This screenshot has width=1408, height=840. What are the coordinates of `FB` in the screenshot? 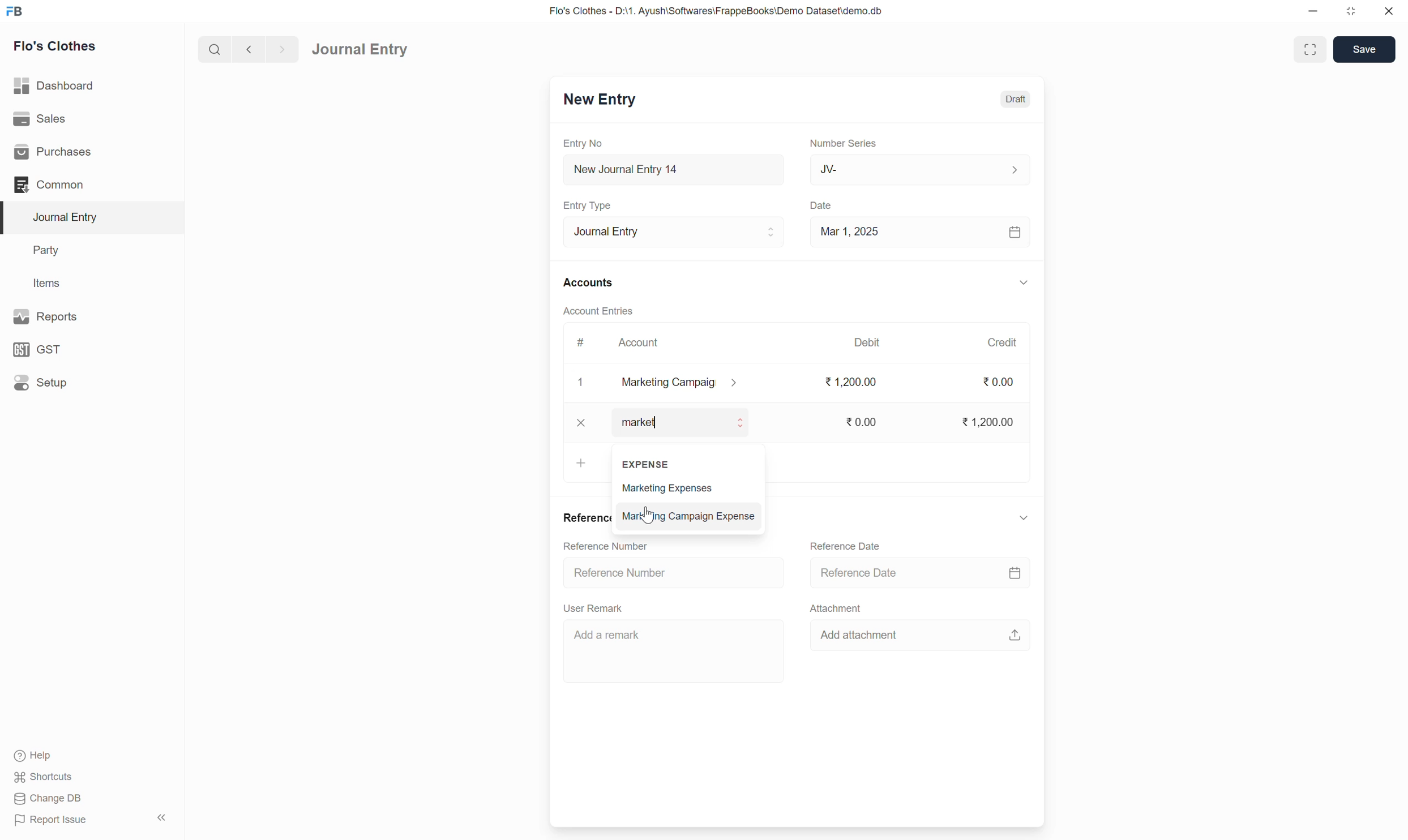 It's located at (15, 11).